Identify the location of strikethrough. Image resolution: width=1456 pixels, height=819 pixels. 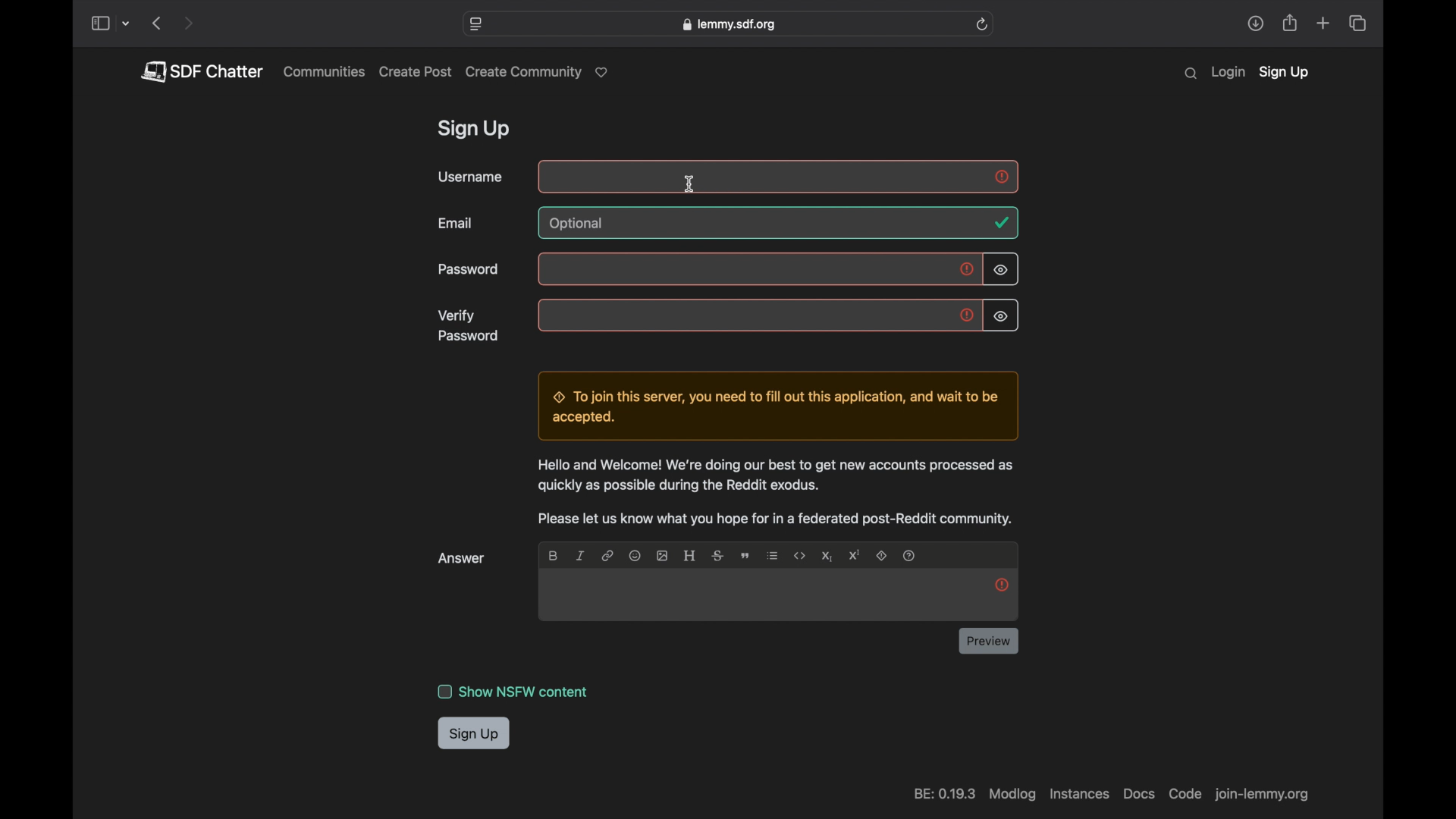
(717, 555).